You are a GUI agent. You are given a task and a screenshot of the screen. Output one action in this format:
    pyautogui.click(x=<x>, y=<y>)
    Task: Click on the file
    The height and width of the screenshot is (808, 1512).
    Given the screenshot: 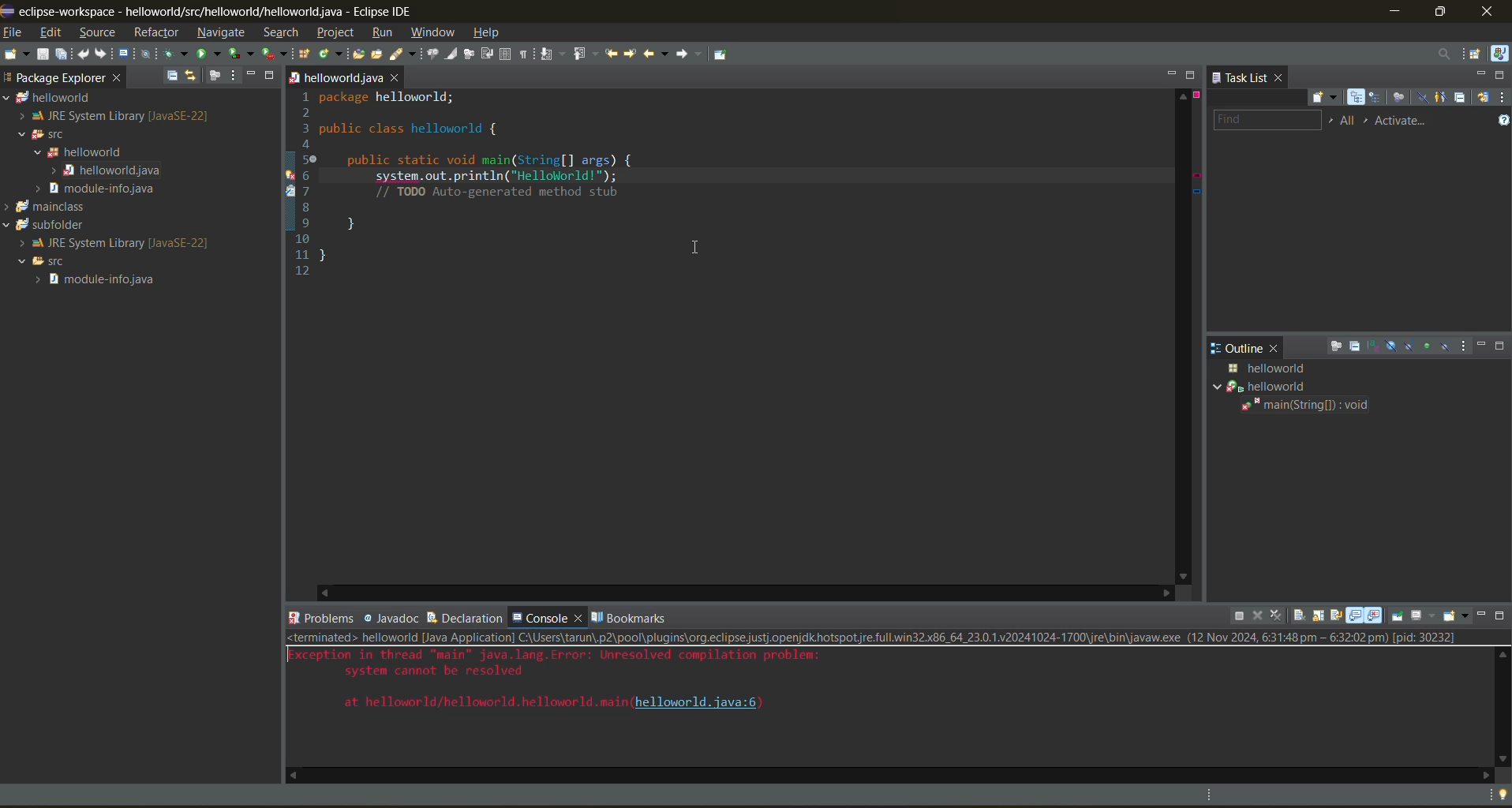 What is the action you would take?
    pyautogui.click(x=14, y=33)
    